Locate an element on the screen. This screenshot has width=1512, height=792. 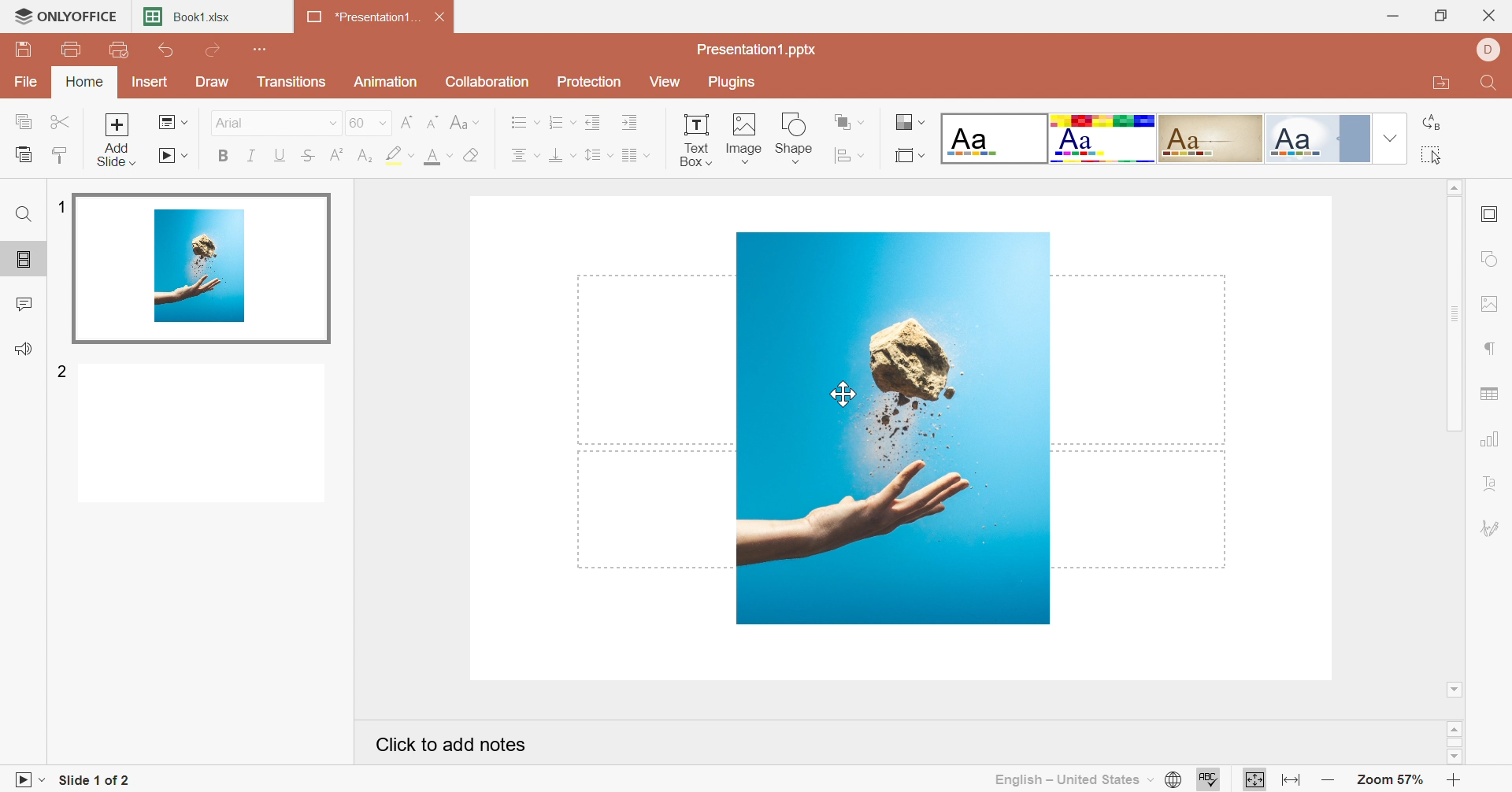
Image is located at coordinates (745, 135).